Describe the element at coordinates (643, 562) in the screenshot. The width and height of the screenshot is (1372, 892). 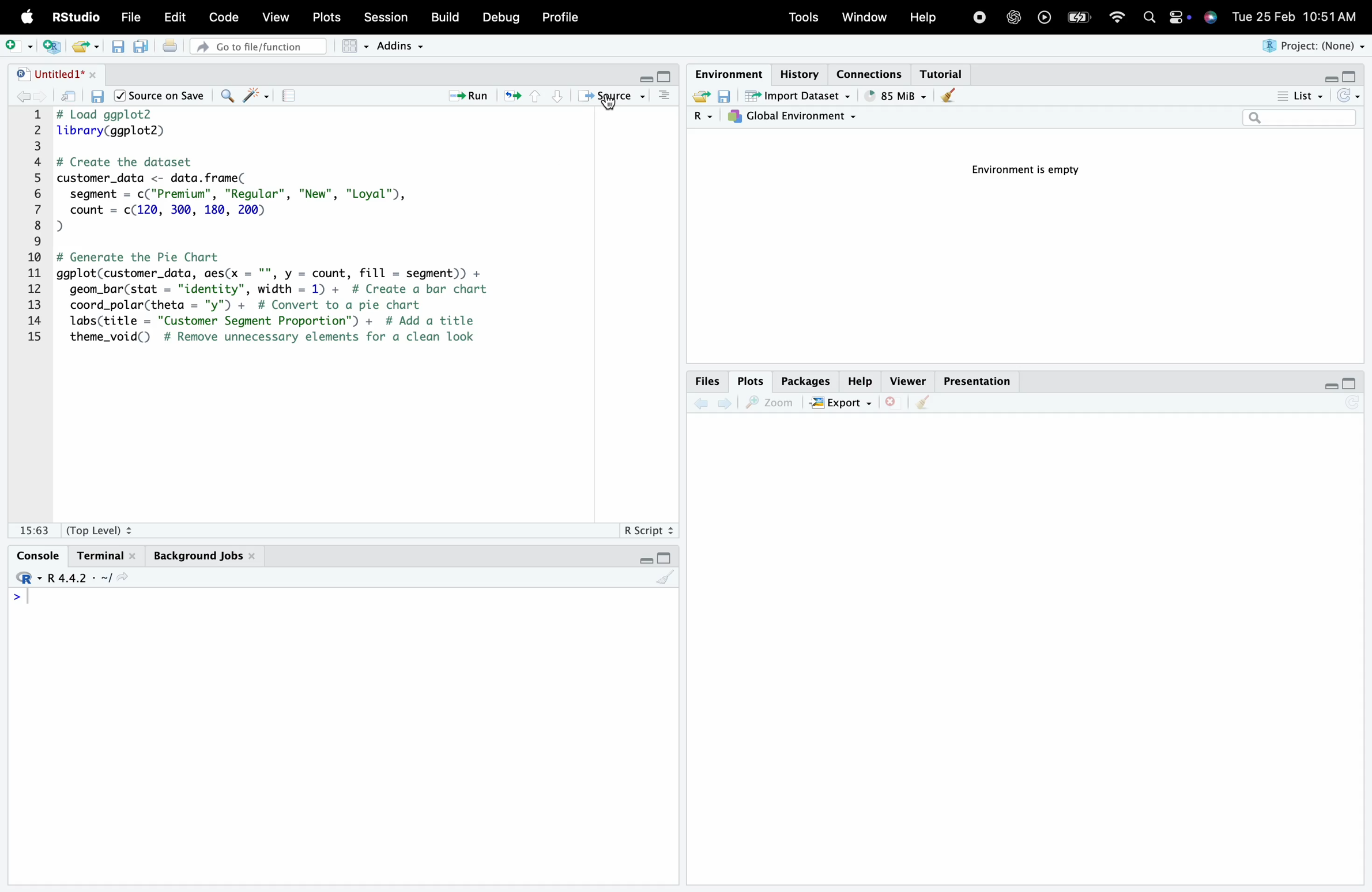
I see `minimise` at that location.